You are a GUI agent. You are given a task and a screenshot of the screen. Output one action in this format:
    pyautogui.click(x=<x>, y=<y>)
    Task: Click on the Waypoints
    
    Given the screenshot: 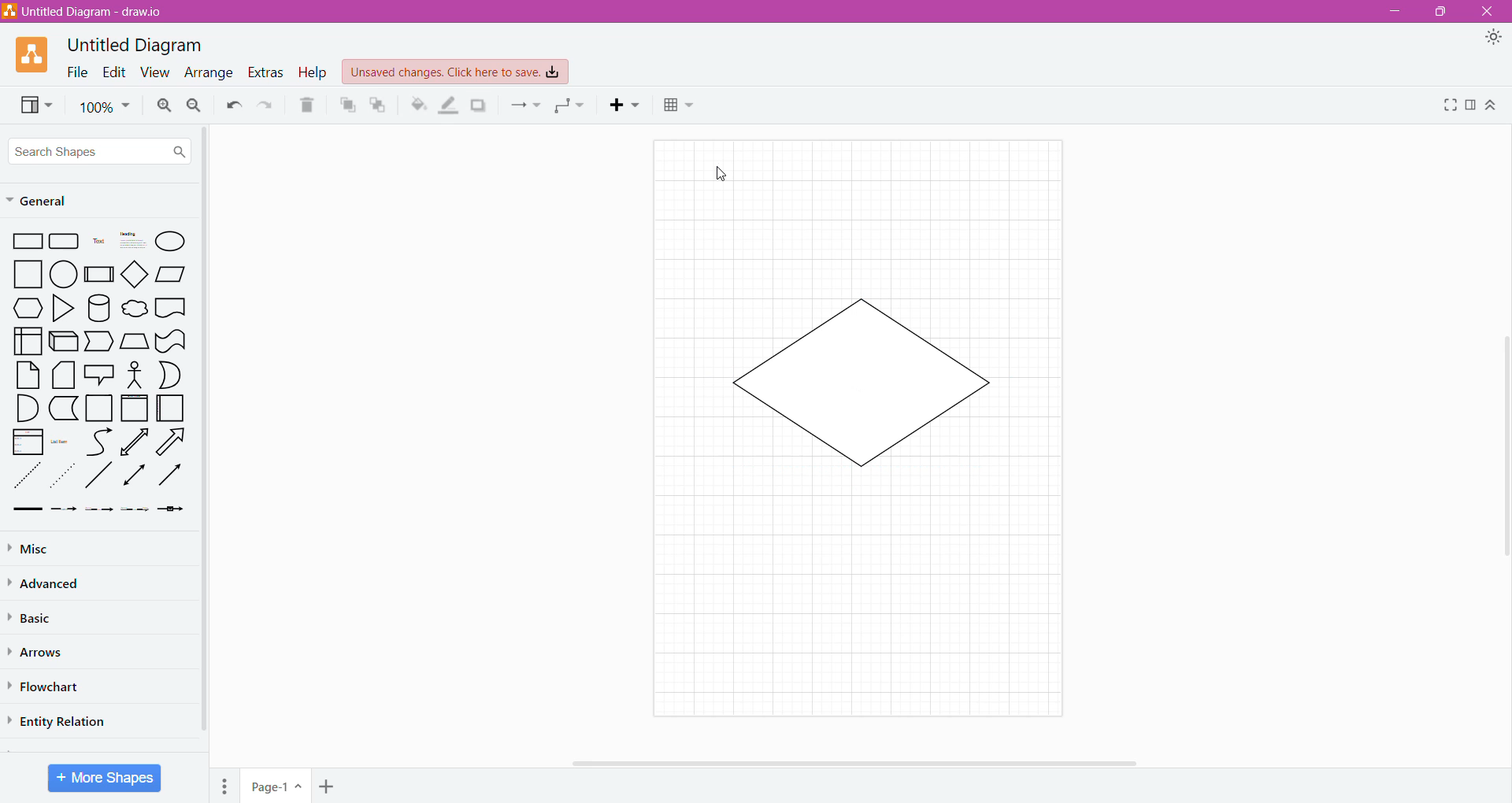 What is the action you would take?
    pyautogui.click(x=571, y=107)
    